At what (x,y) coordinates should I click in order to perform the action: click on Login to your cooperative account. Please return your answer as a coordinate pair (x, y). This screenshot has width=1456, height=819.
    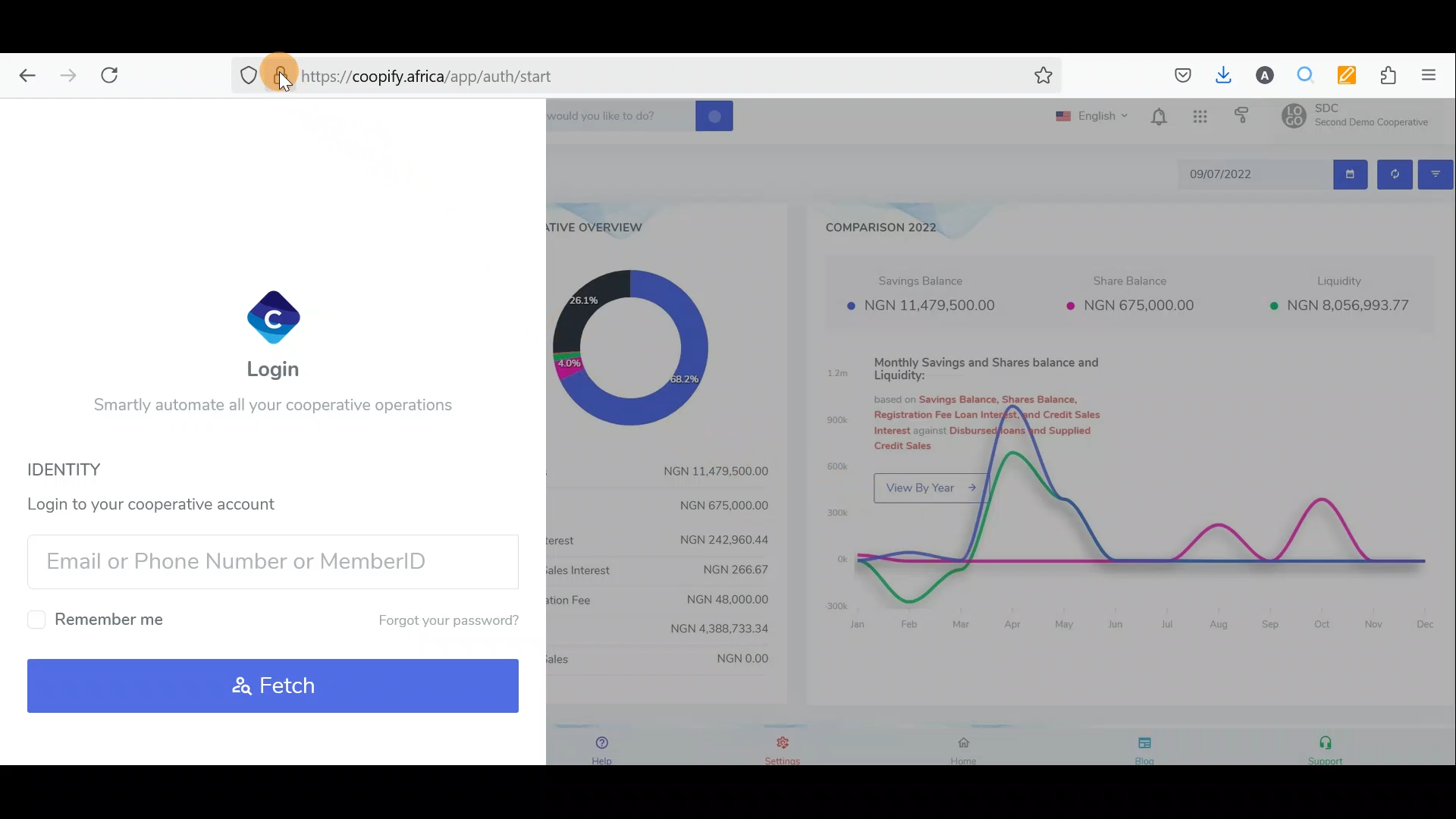
    Looking at the image, I should click on (162, 501).